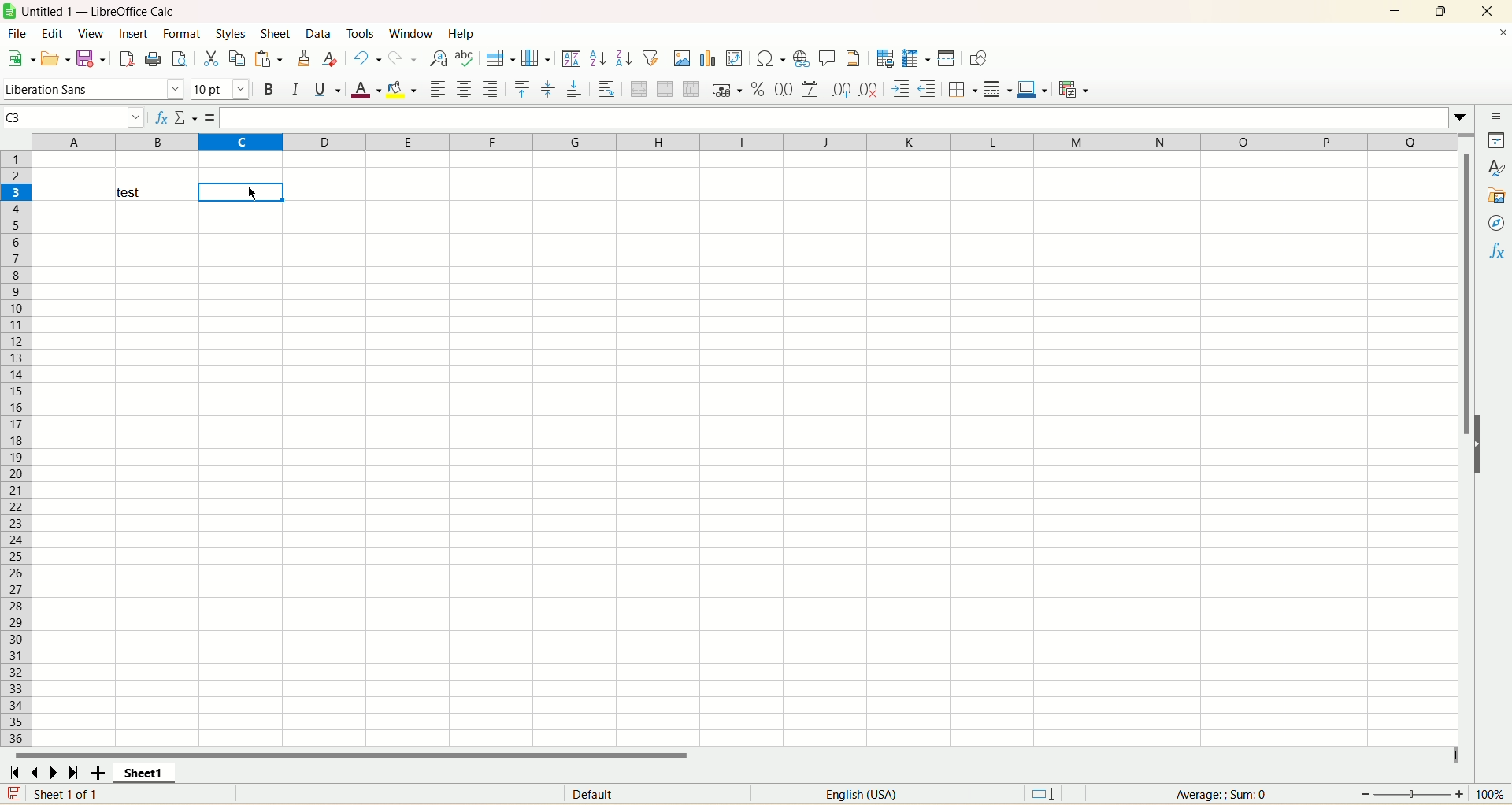 The width and height of the screenshot is (1512, 805). What do you see at coordinates (133, 33) in the screenshot?
I see `insert` at bounding box center [133, 33].